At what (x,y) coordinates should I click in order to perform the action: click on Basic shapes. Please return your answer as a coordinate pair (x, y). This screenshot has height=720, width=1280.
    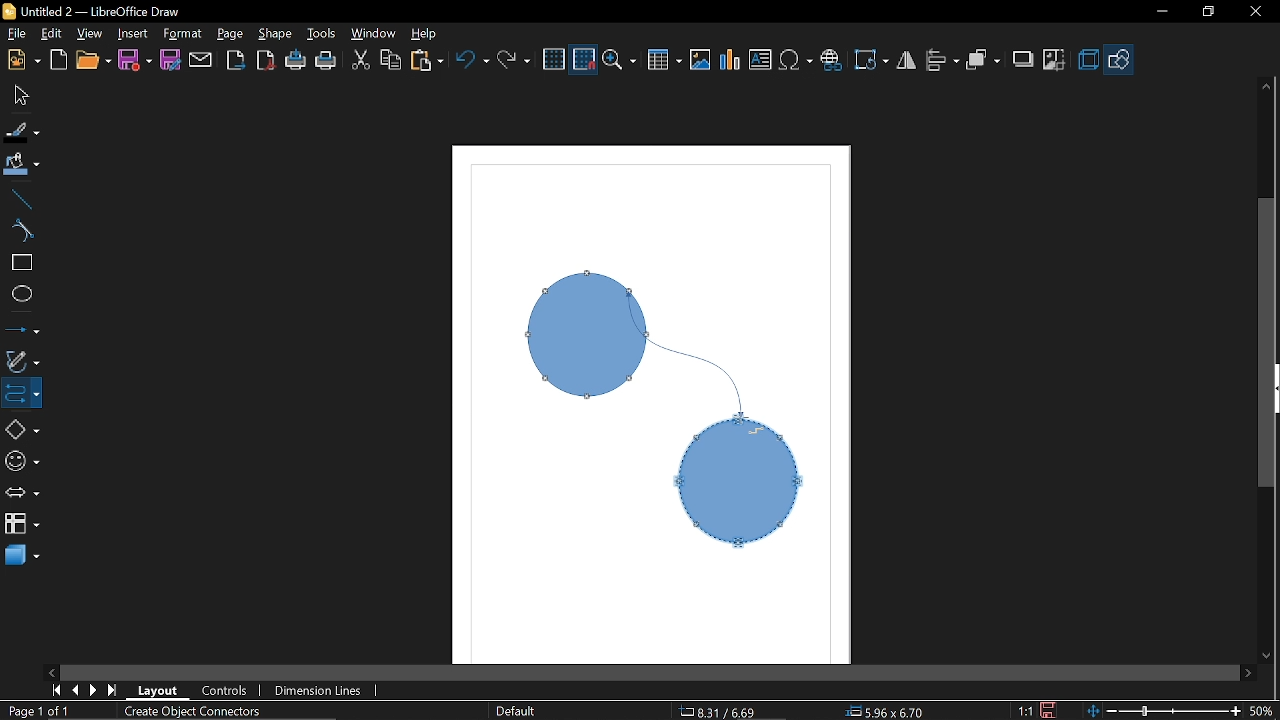
    Looking at the image, I should click on (21, 427).